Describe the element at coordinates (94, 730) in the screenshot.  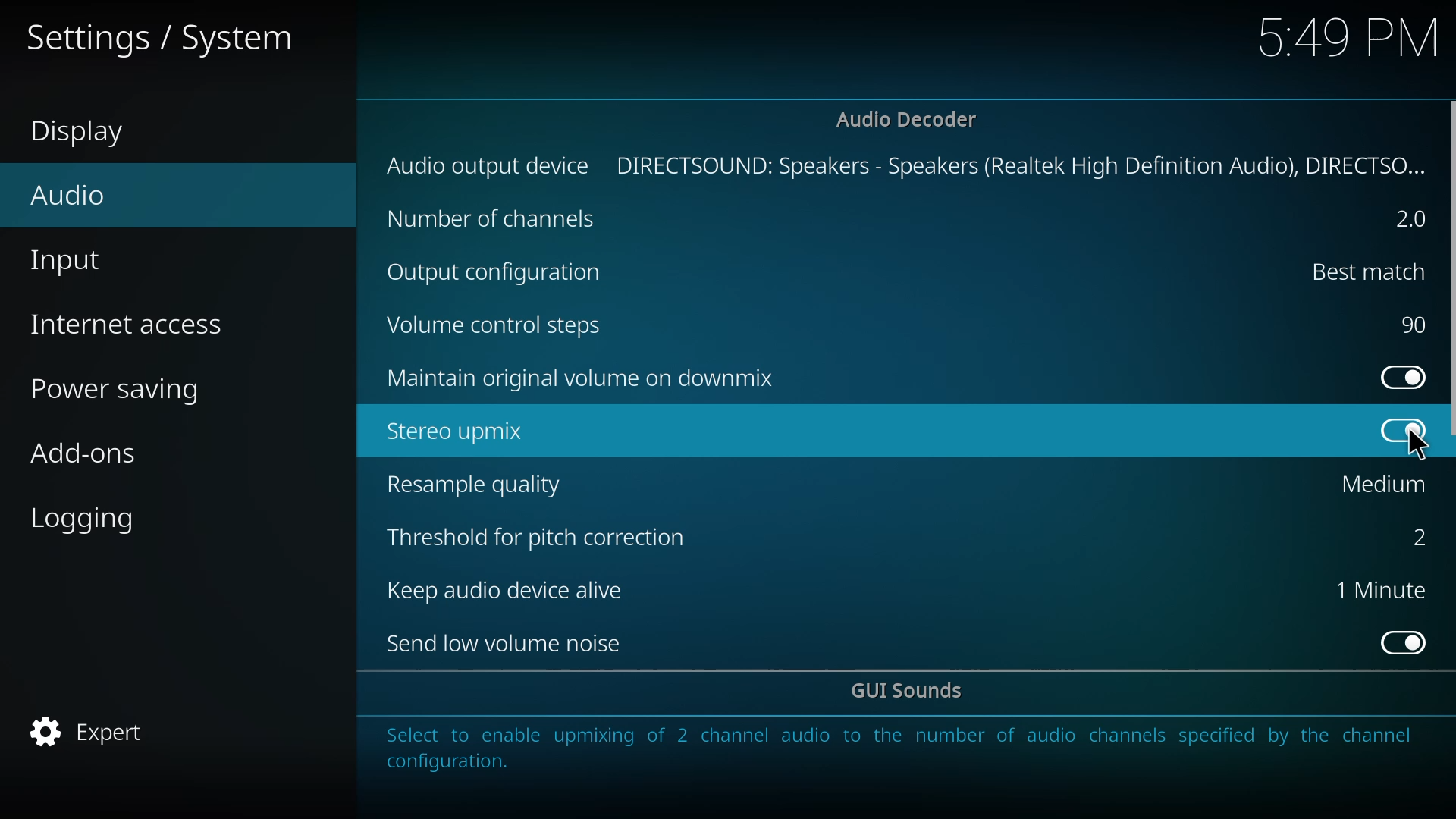
I see `expert` at that location.